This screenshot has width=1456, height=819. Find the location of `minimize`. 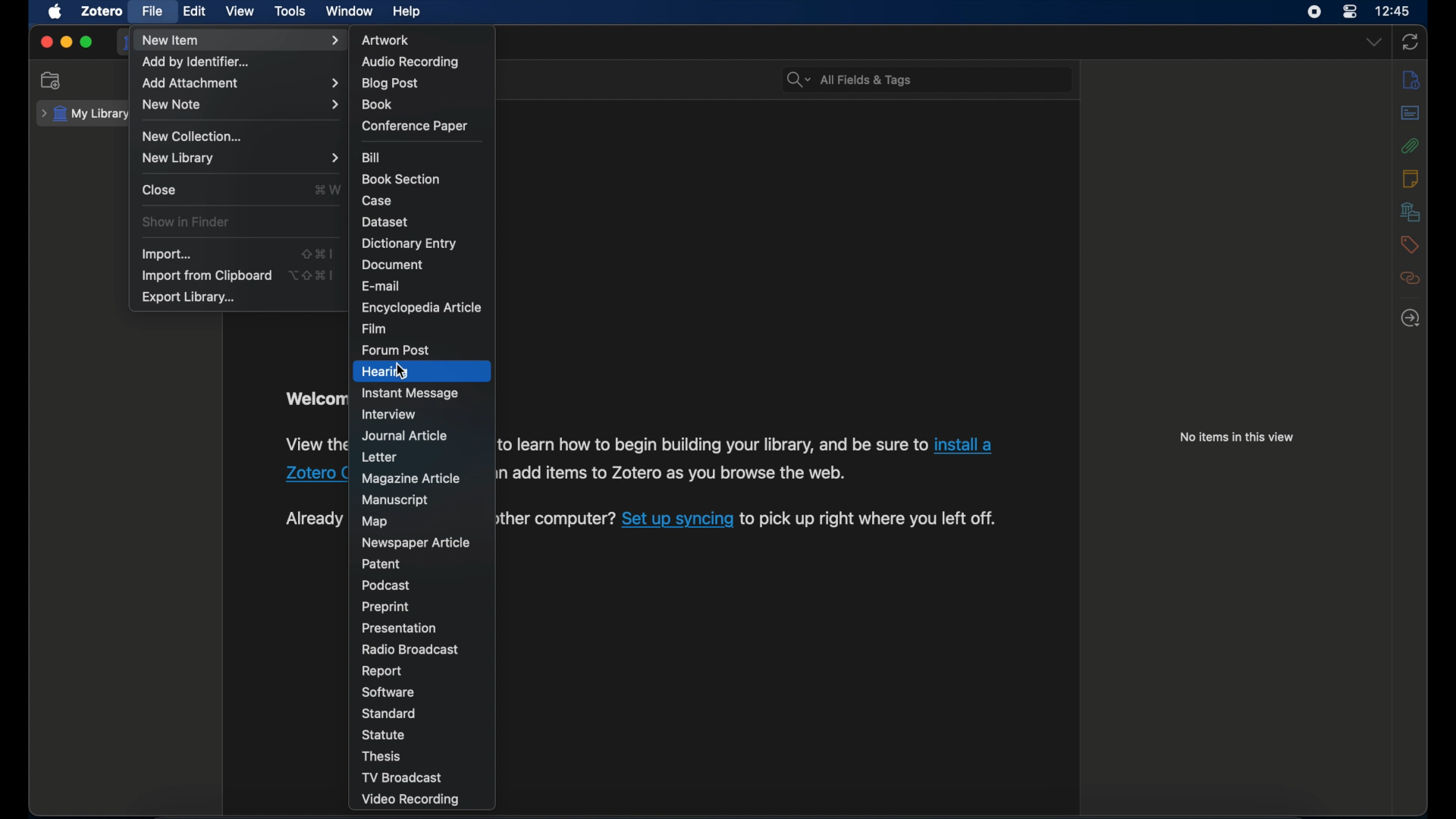

minimize is located at coordinates (67, 42).